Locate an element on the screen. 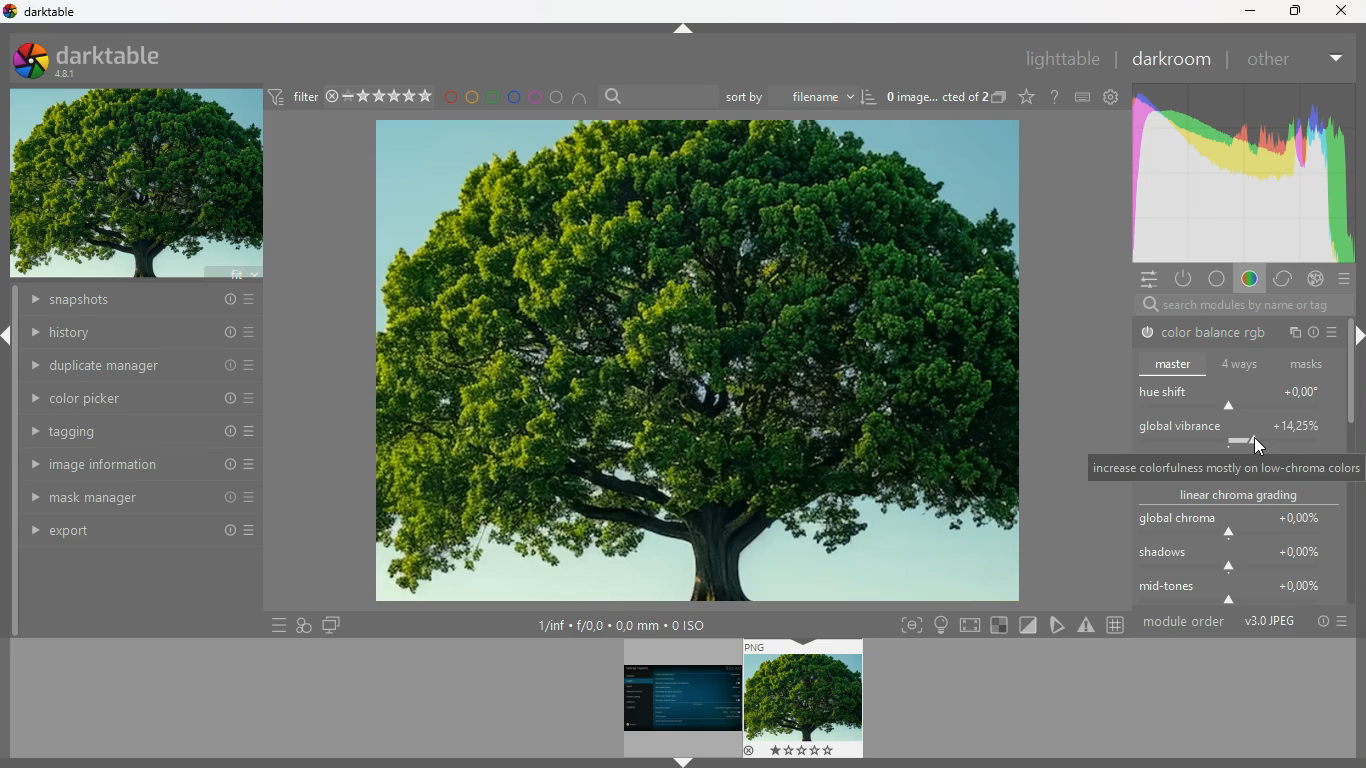 This screenshot has width=1366, height=768. snapshots is located at coordinates (139, 302).